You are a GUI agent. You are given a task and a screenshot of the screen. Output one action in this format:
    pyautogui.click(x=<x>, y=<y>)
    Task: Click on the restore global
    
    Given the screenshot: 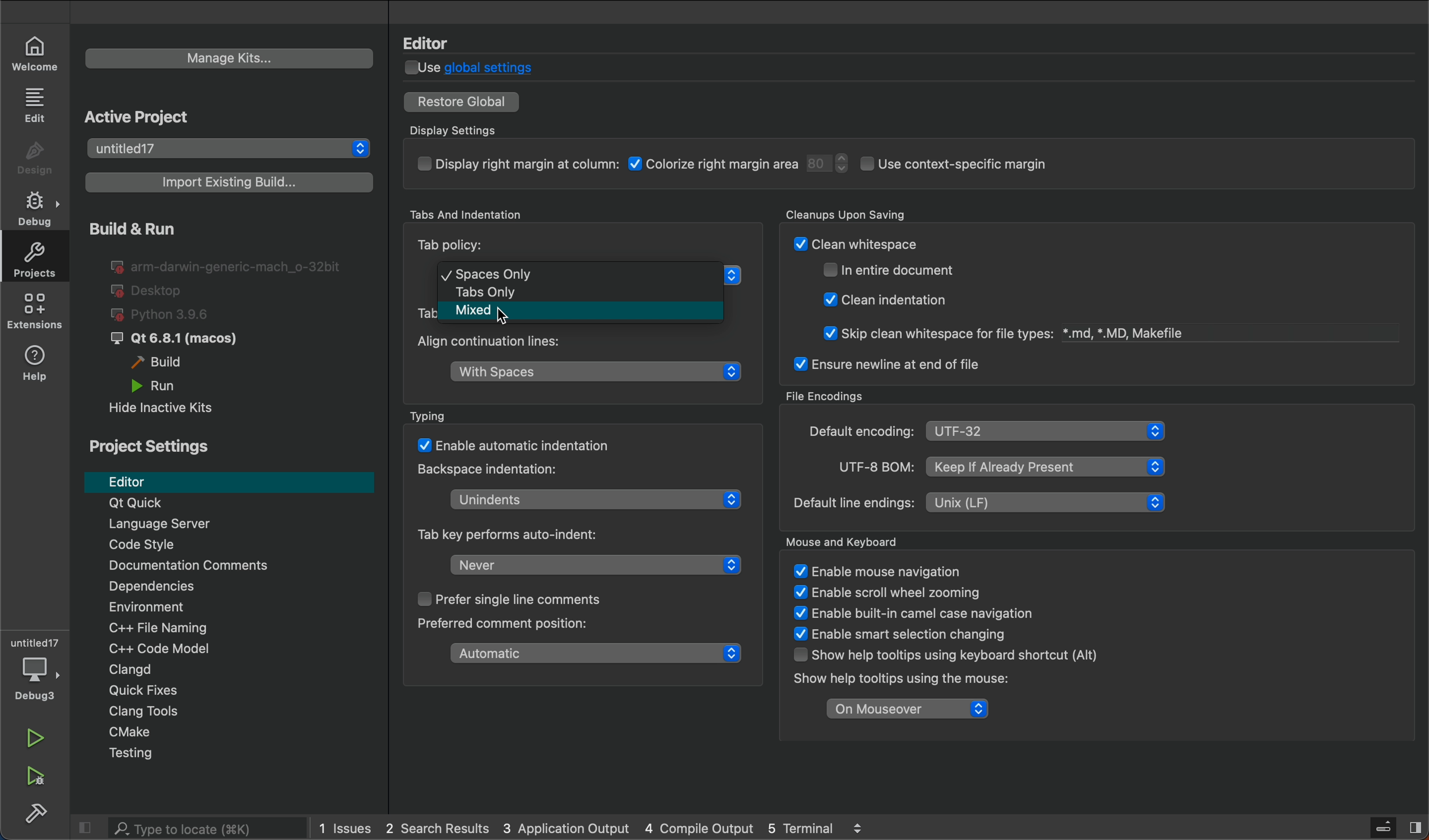 What is the action you would take?
    pyautogui.click(x=463, y=101)
    